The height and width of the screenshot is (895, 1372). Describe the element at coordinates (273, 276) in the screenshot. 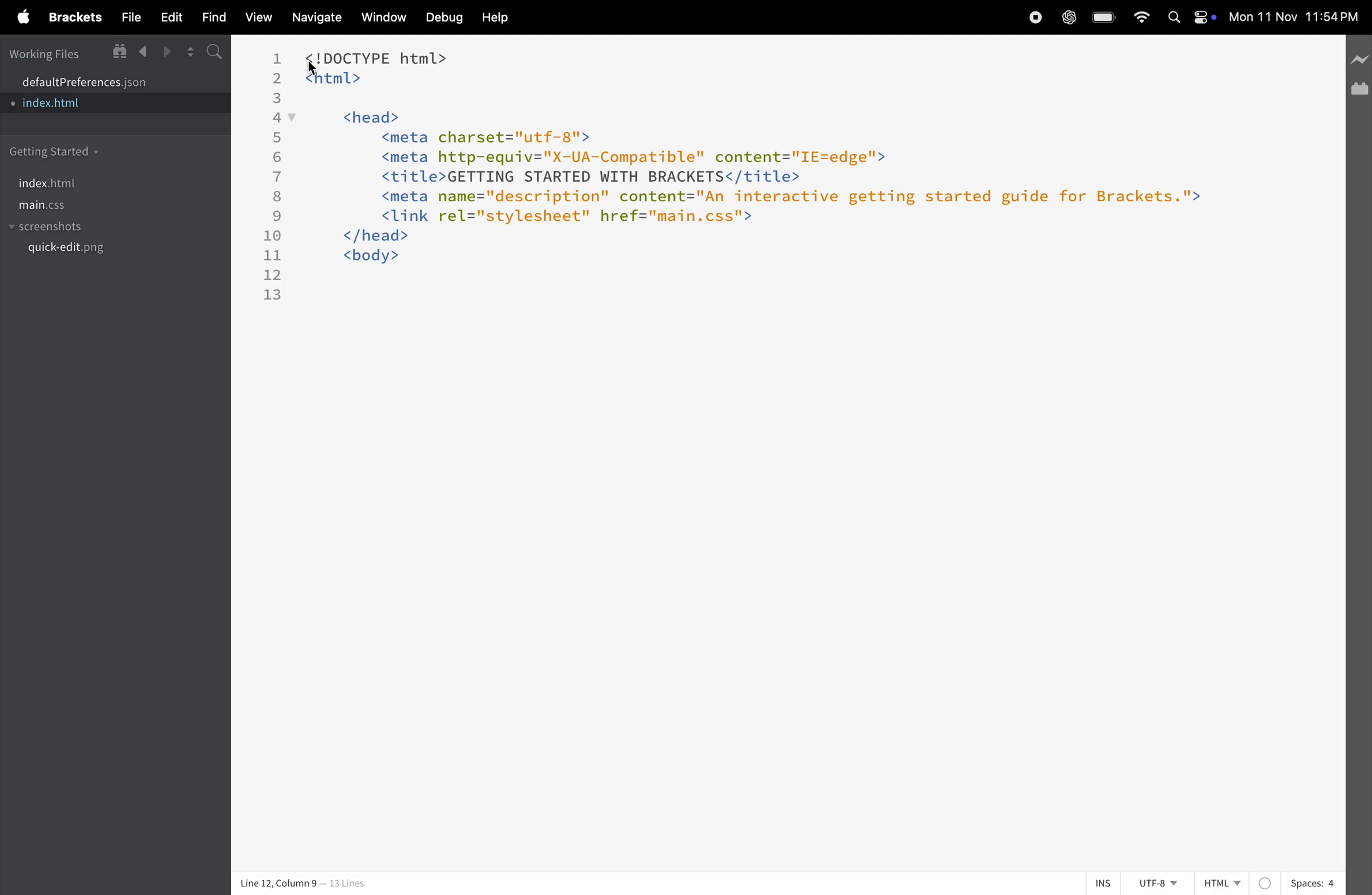

I see `12` at that location.